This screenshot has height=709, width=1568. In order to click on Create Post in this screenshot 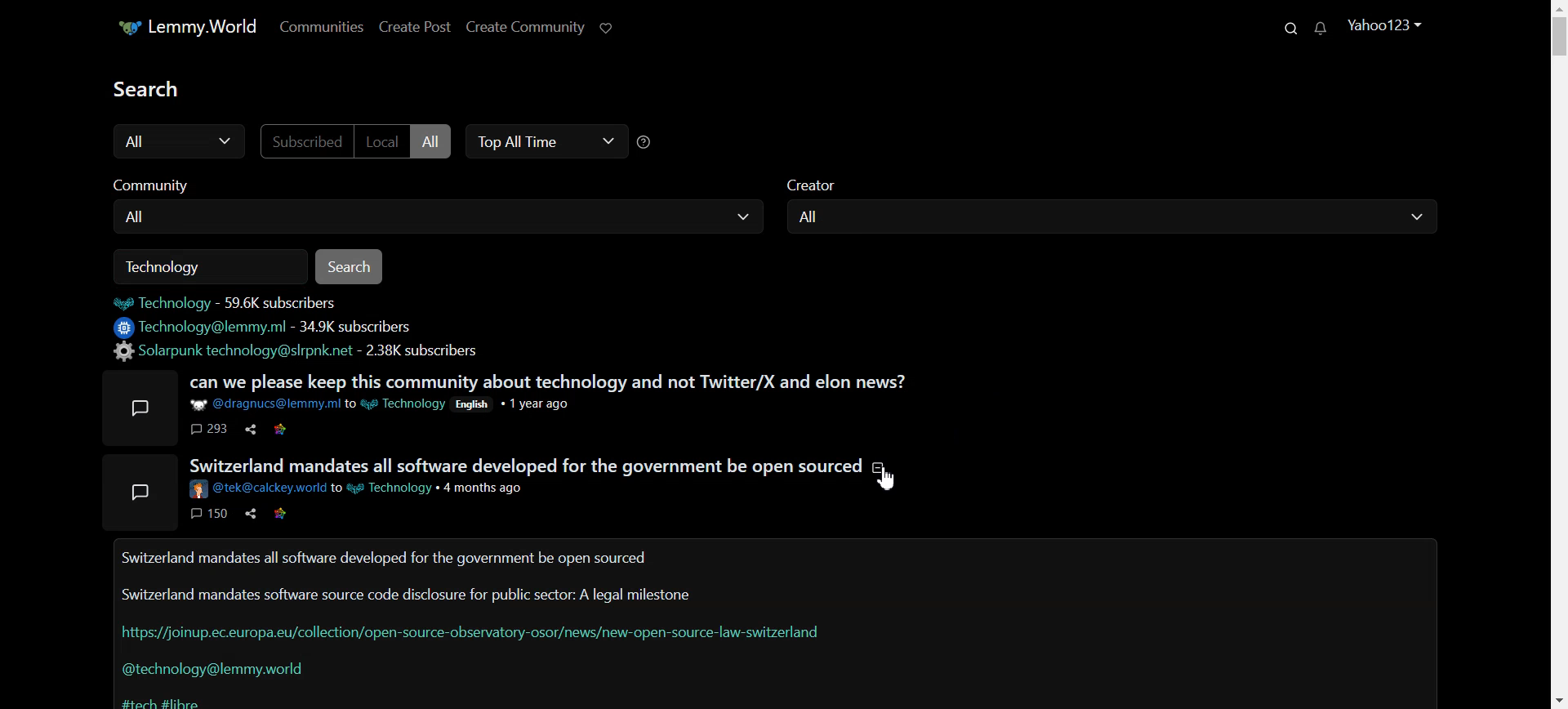, I will do `click(417, 28)`.